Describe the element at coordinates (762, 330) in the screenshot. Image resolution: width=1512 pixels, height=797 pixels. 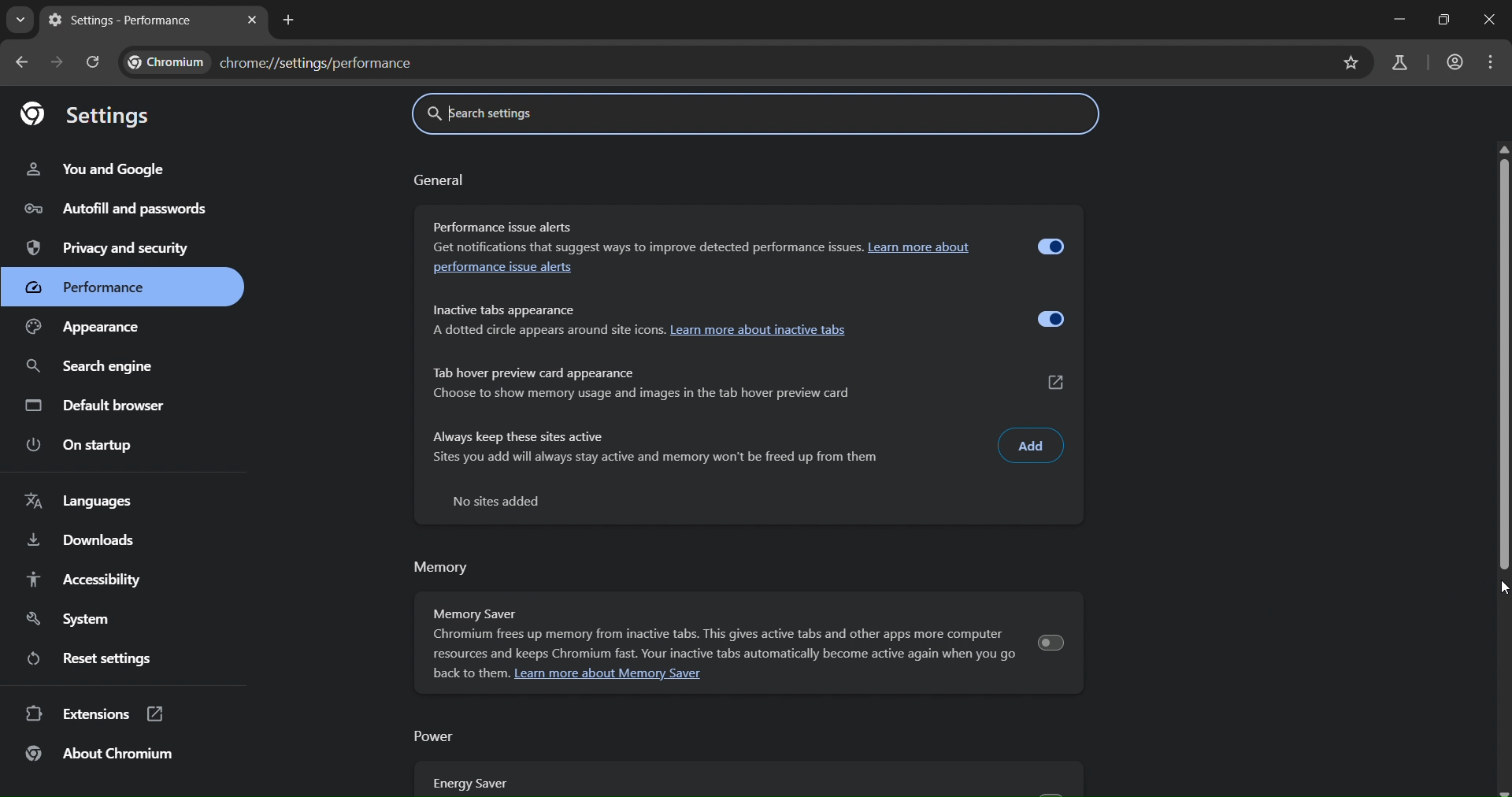
I see `learn more about inactive tabs` at that location.